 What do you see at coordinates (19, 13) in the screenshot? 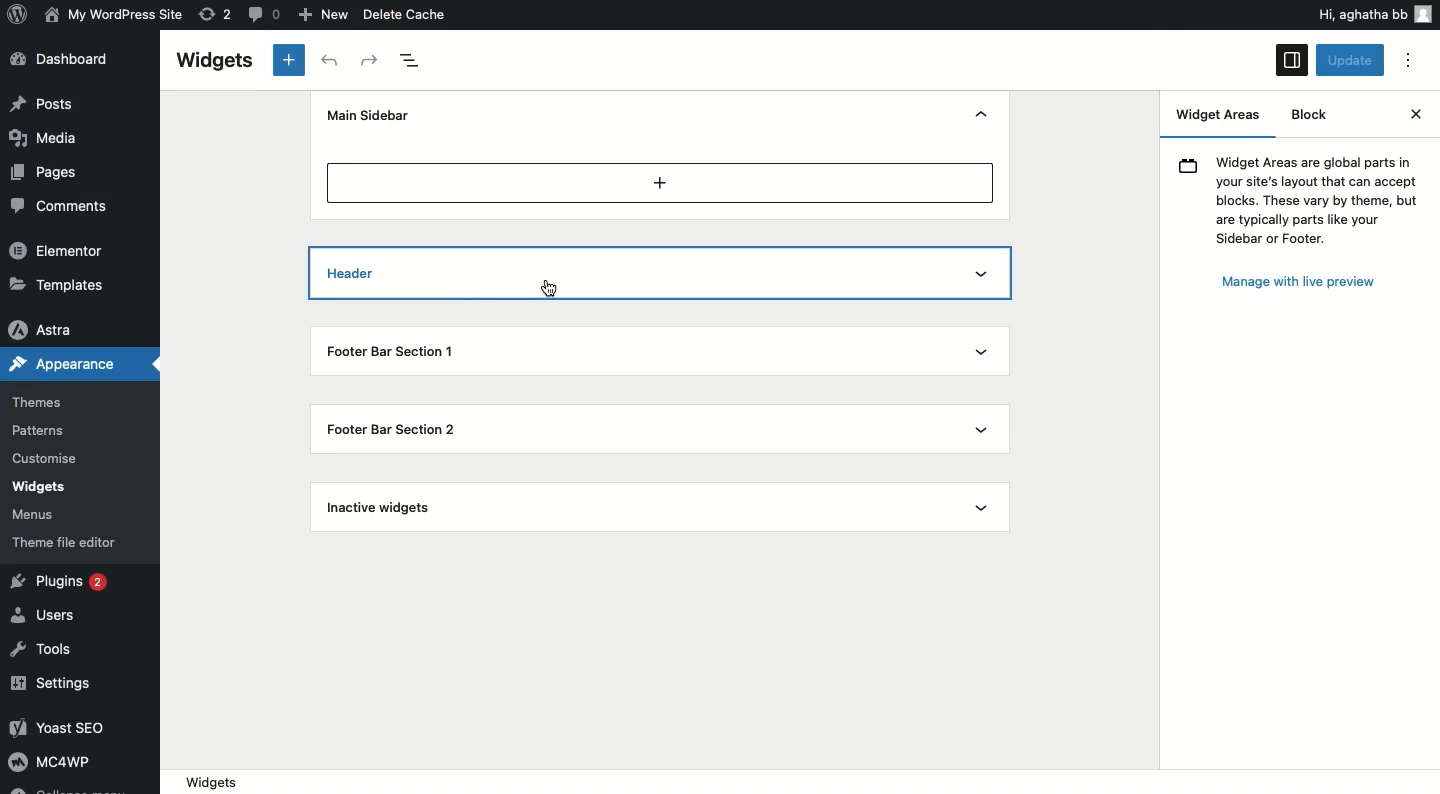
I see `Logo` at bounding box center [19, 13].